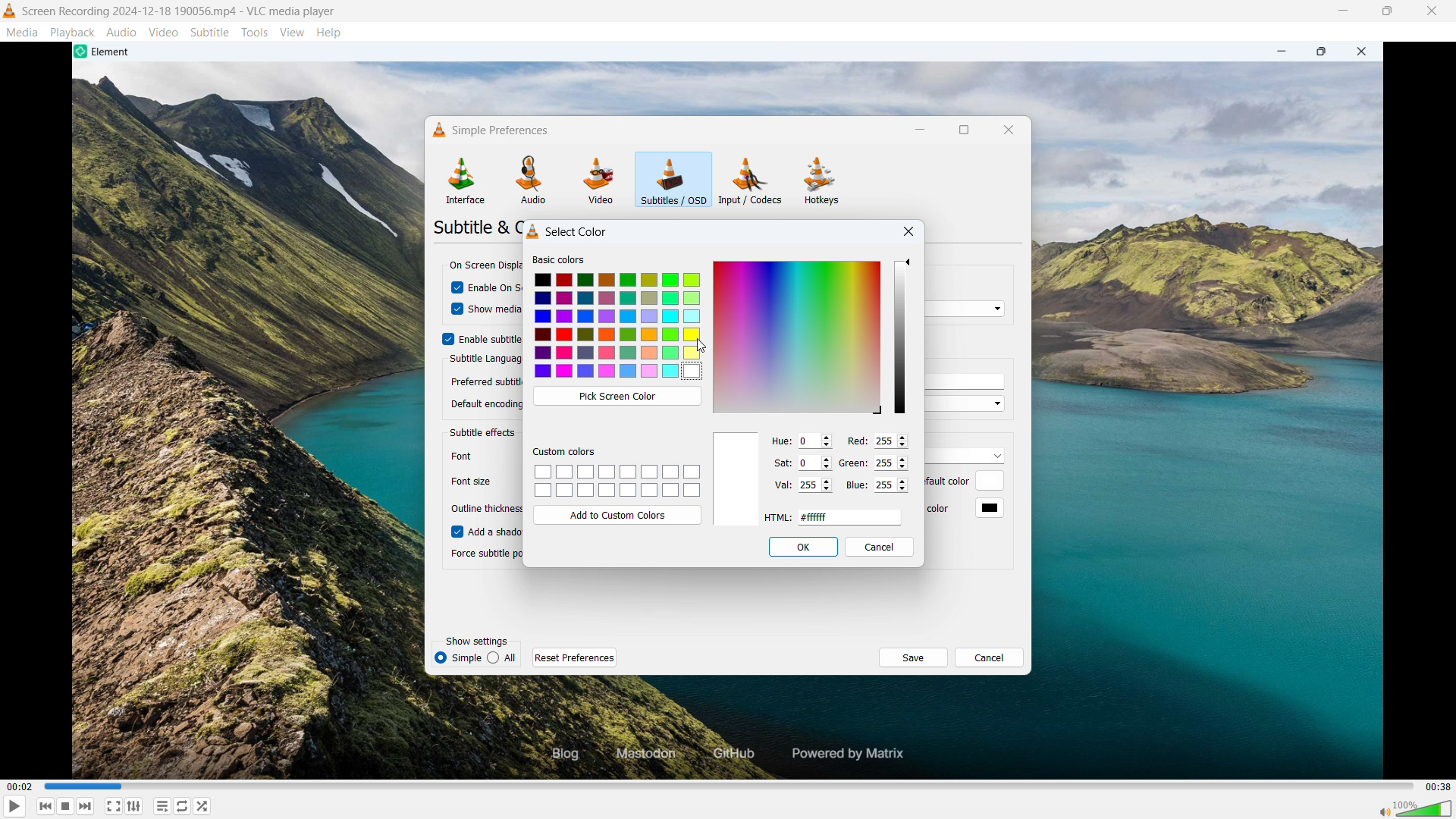 Image resolution: width=1456 pixels, height=819 pixels. What do you see at coordinates (471, 479) in the screenshot?
I see `` at bounding box center [471, 479].